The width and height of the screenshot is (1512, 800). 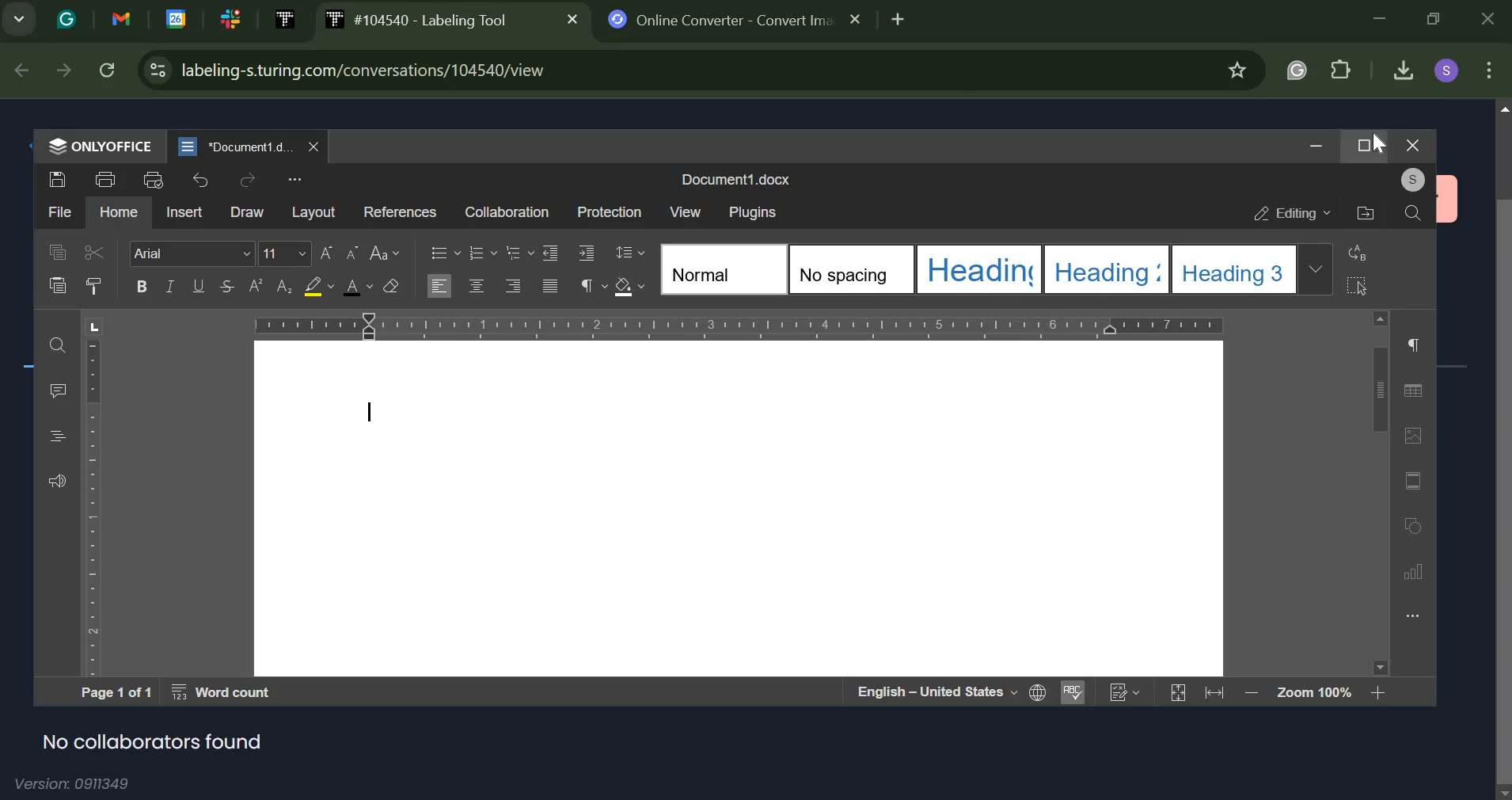 What do you see at coordinates (63, 70) in the screenshot?
I see `Forward ` at bounding box center [63, 70].